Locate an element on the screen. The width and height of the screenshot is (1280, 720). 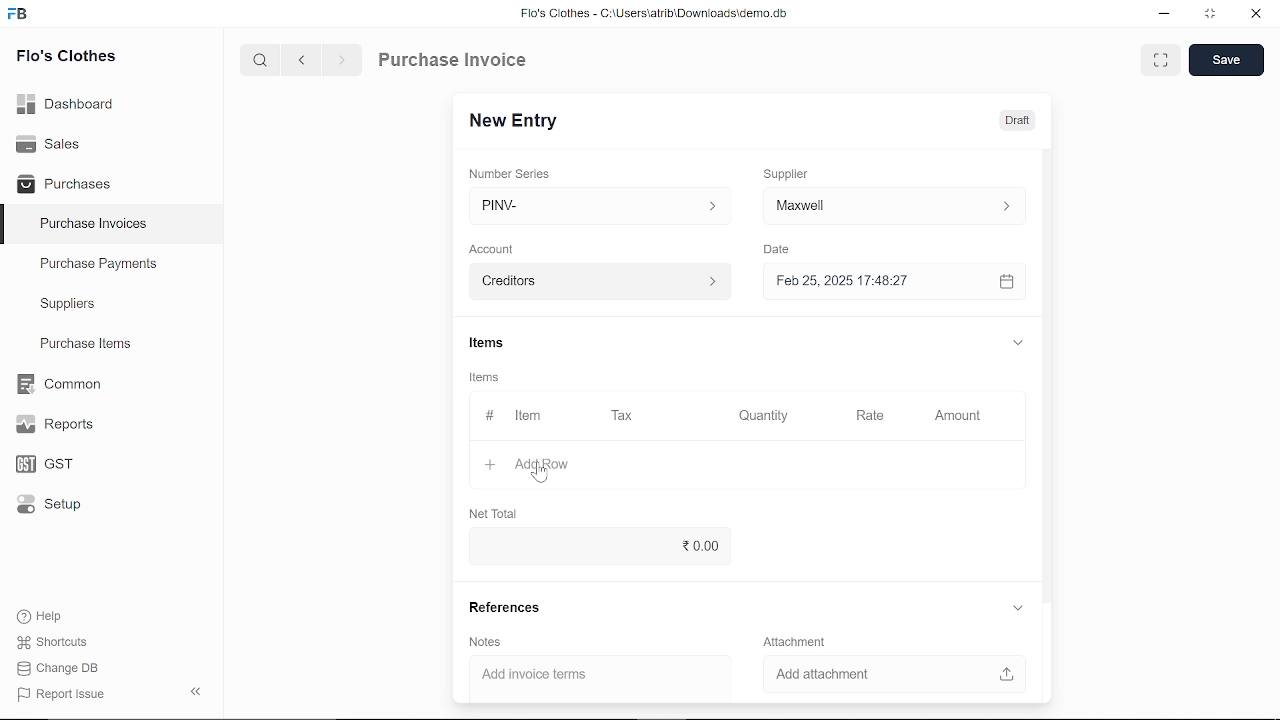
save is located at coordinates (1226, 61).